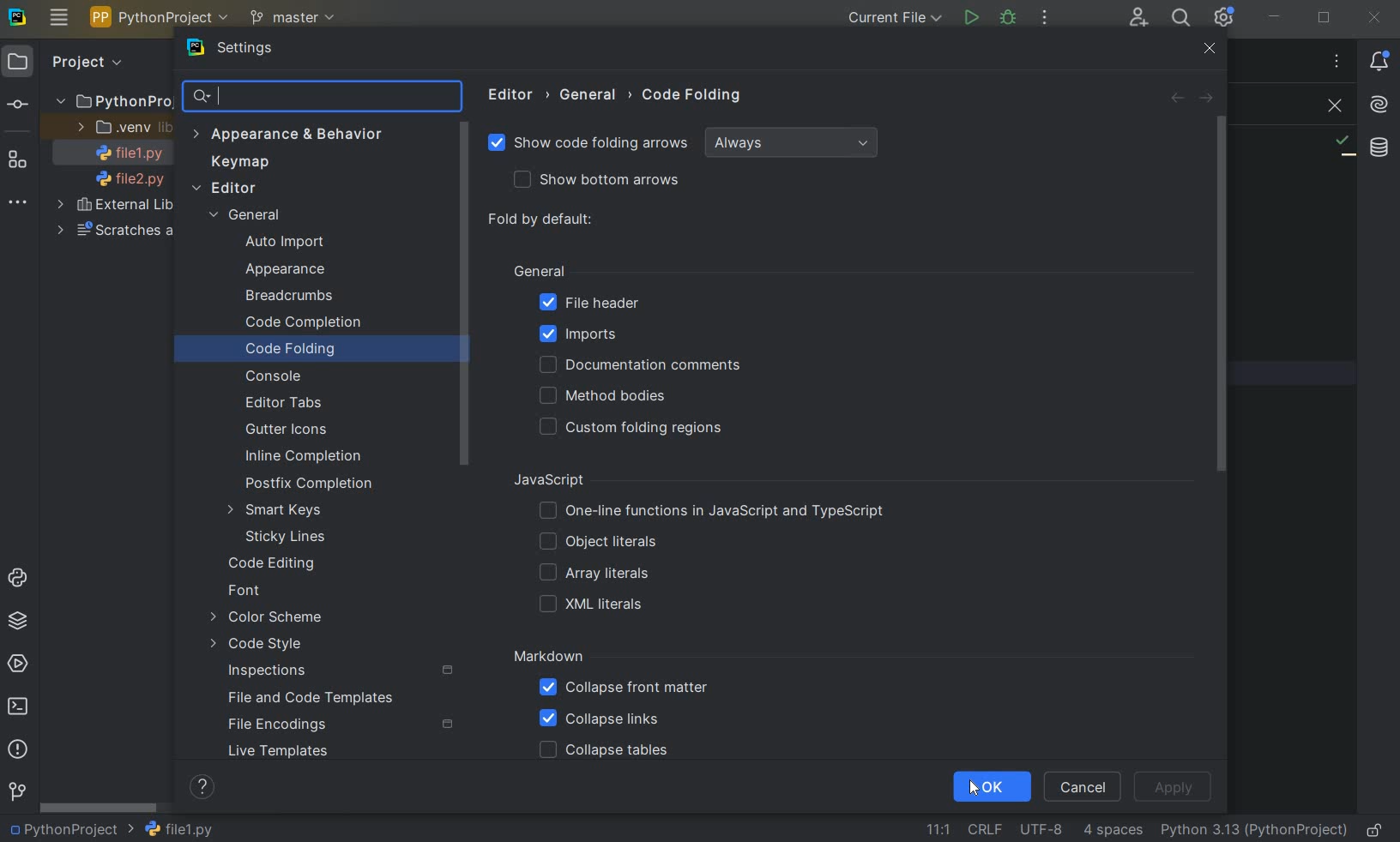  What do you see at coordinates (594, 574) in the screenshot?
I see `ARRAY LITERALS` at bounding box center [594, 574].